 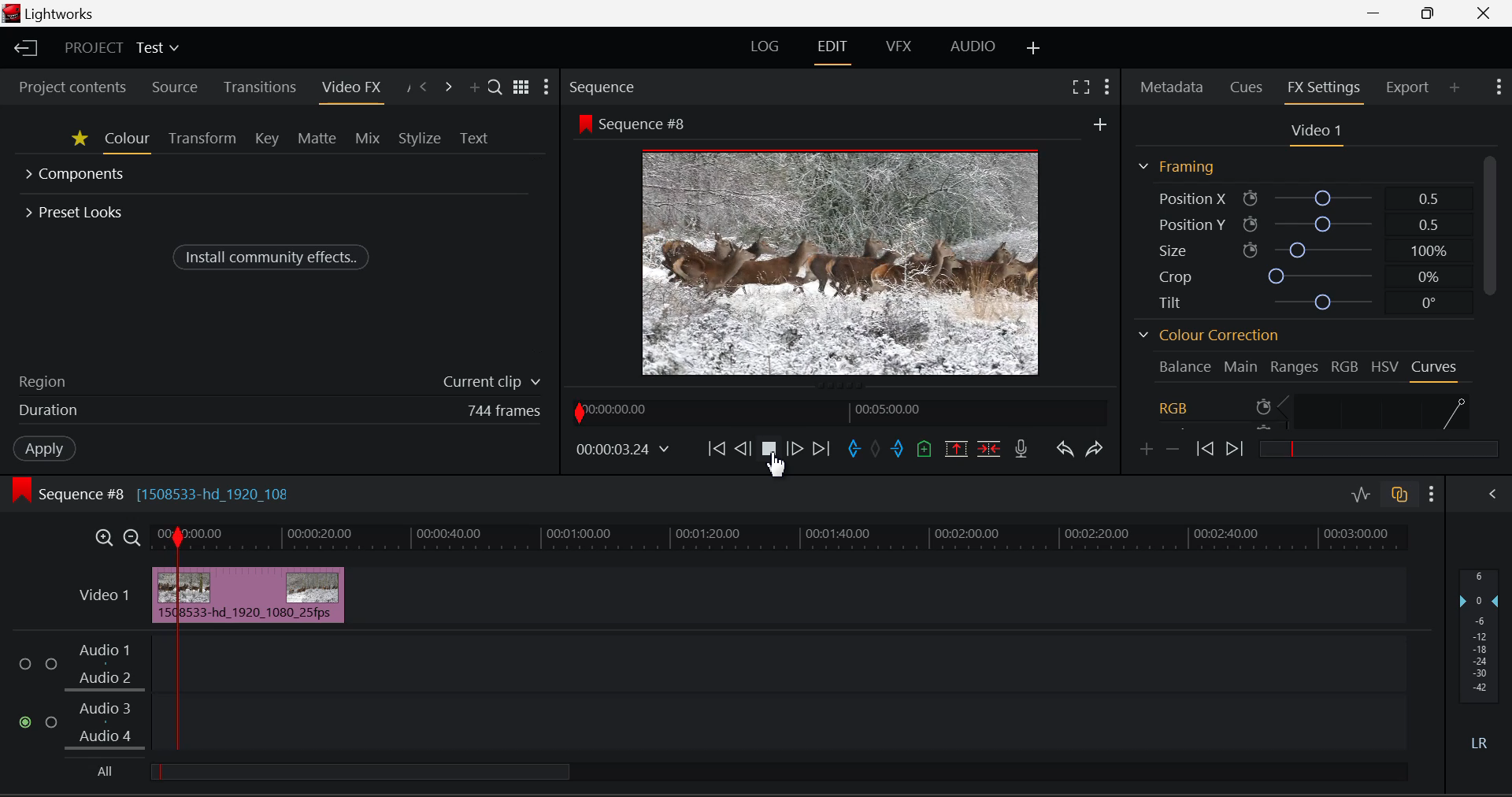 I want to click on Video Played, so click(x=769, y=451).